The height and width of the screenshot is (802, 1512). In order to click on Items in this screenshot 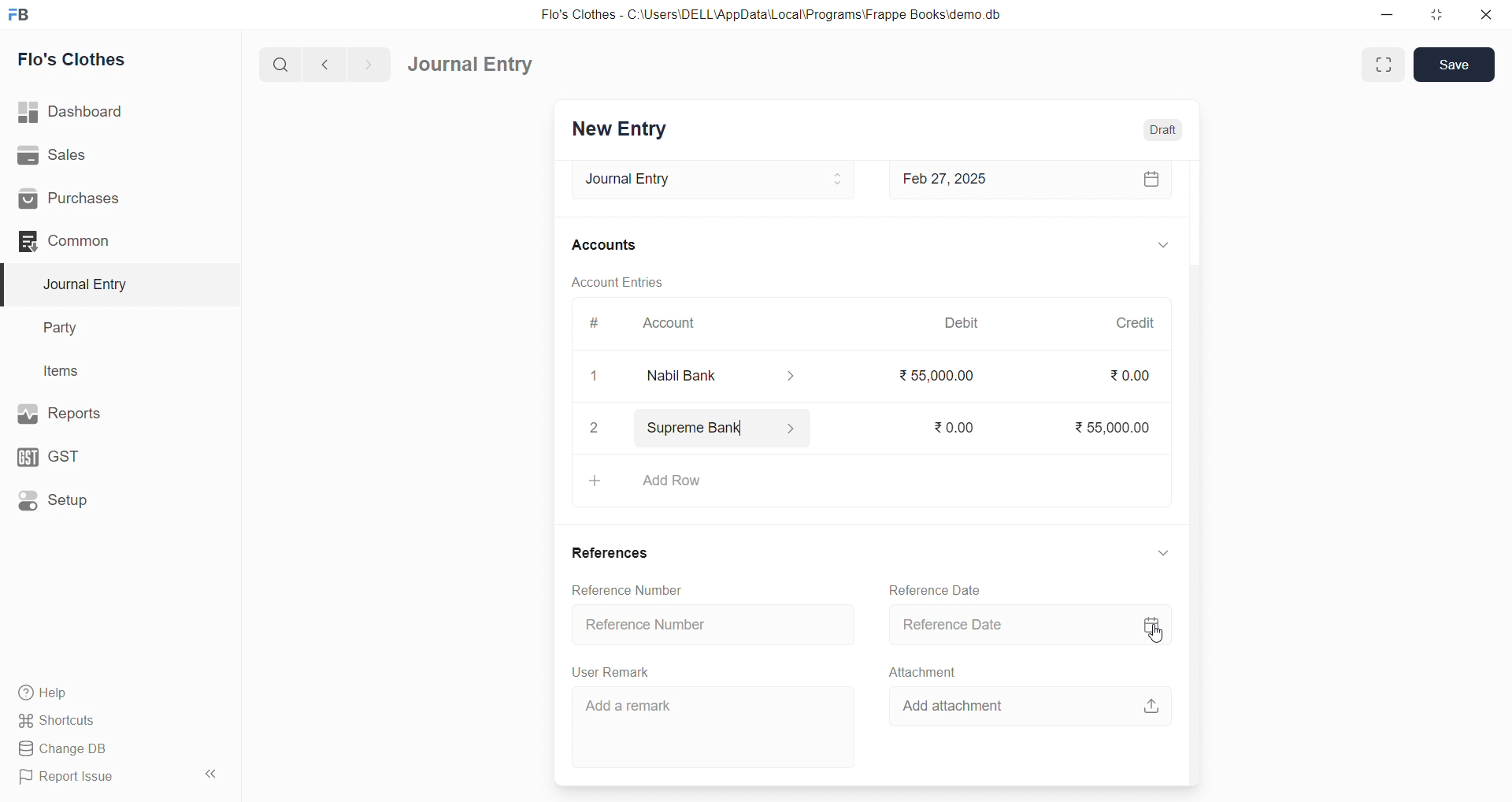, I will do `click(67, 370)`.